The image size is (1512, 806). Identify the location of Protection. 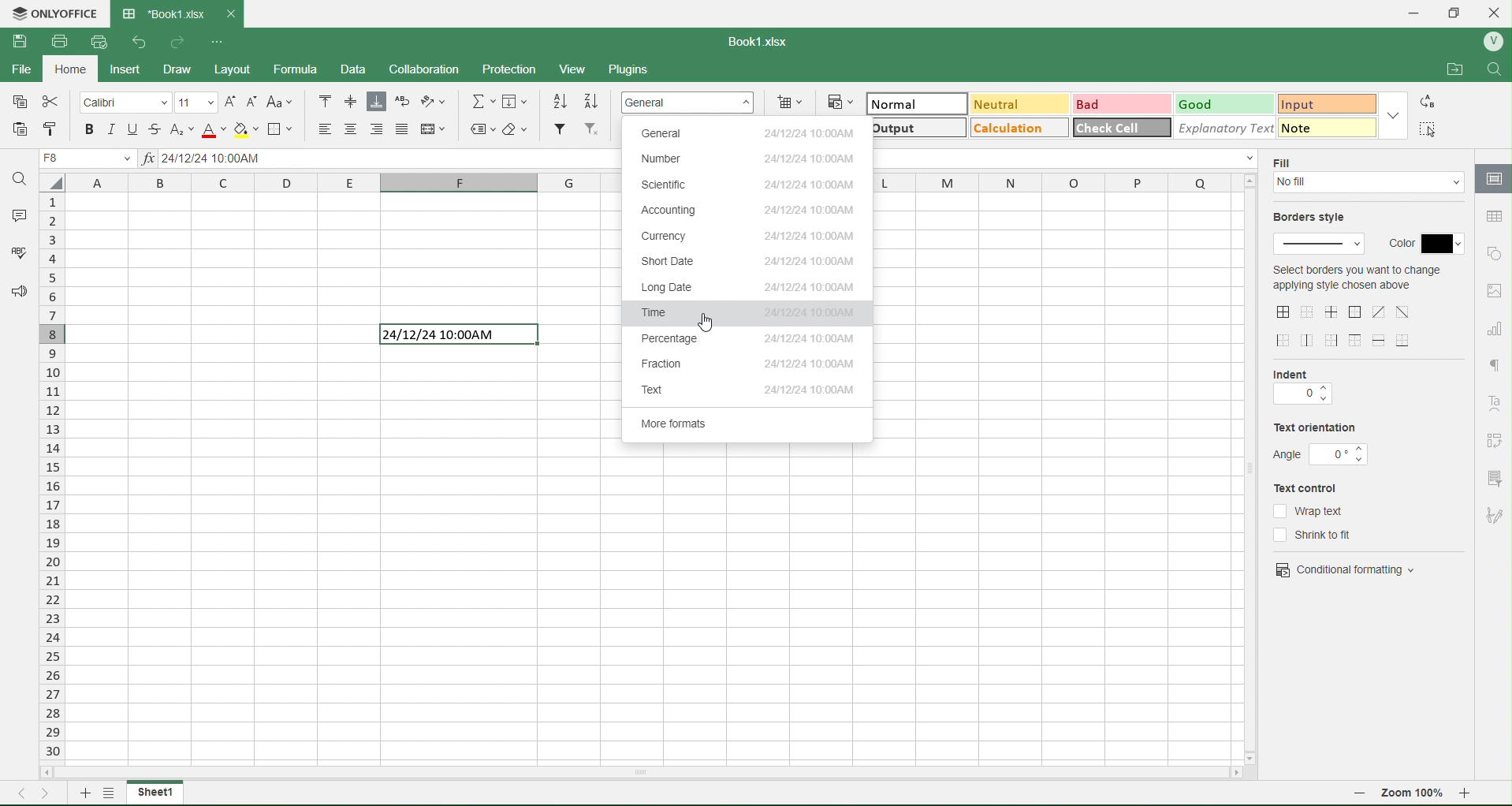
(520, 67).